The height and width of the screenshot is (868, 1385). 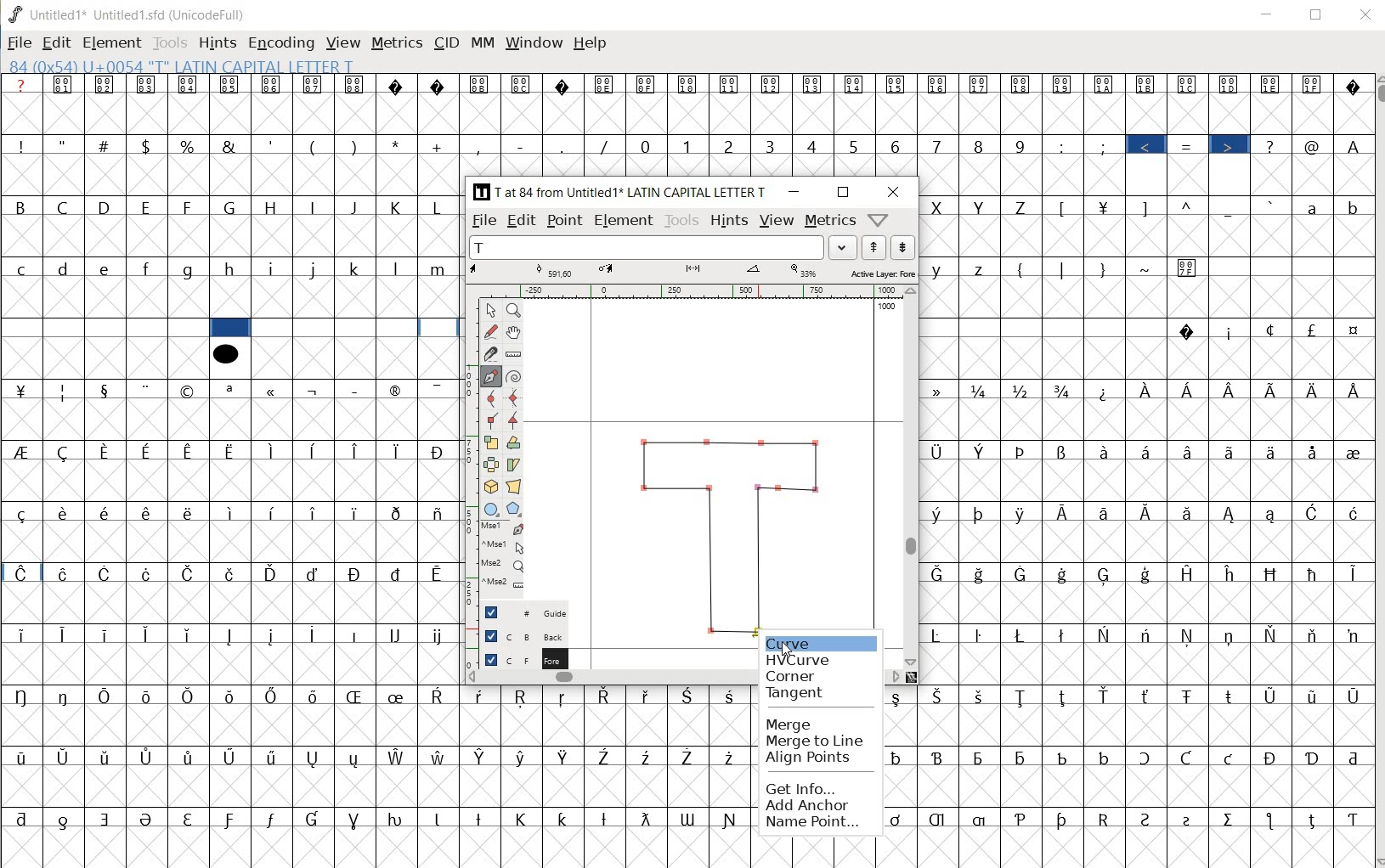 What do you see at coordinates (482, 757) in the screenshot?
I see `Symbol` at bounding box center [482, 757].